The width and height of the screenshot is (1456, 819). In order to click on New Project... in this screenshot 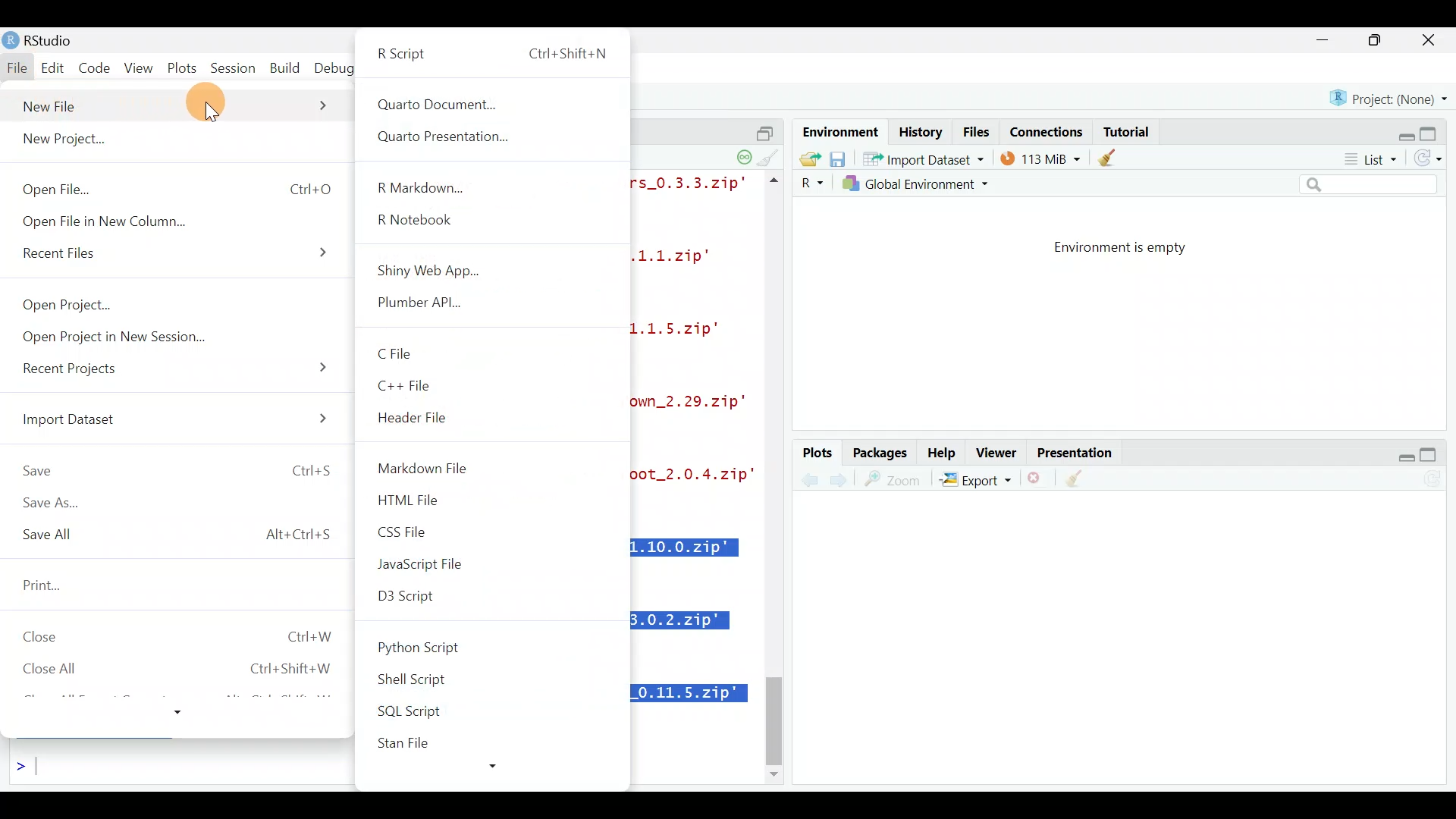, I will do `click(92, 143)`.